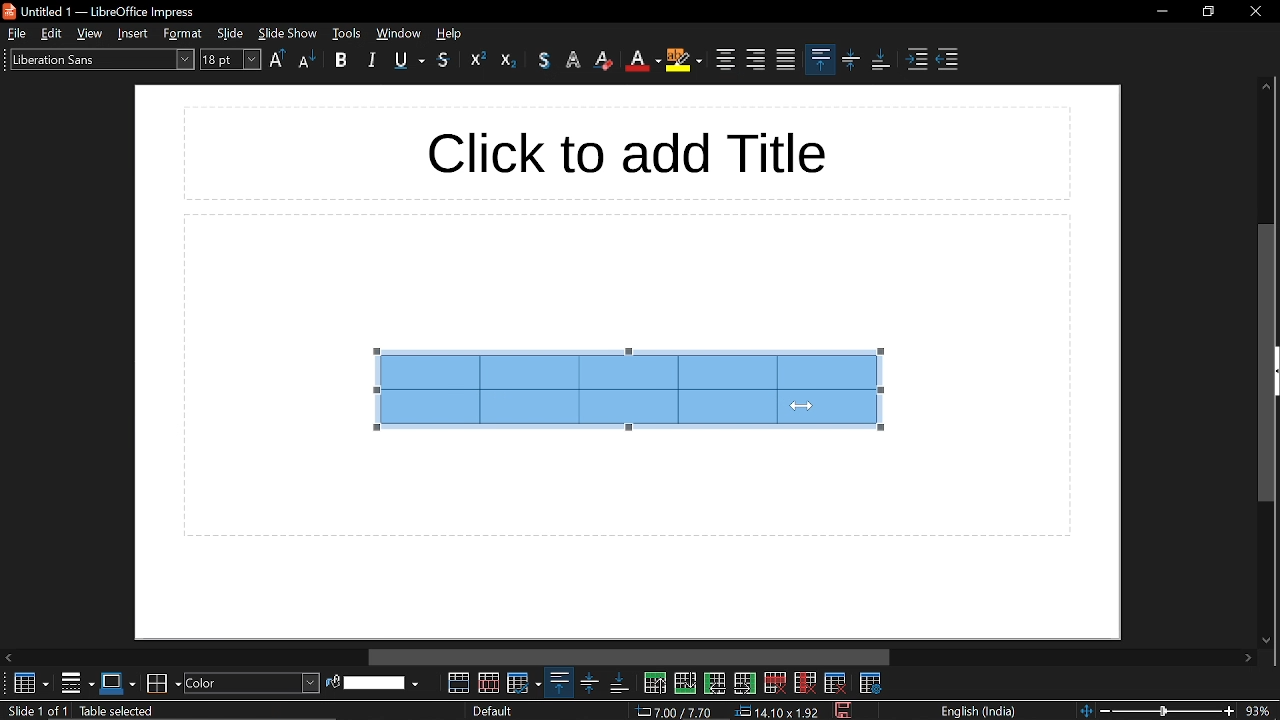  What do you see at coordinates (348, 34) in the screenshot?
I see `tools` at bounding box center [348, 34].